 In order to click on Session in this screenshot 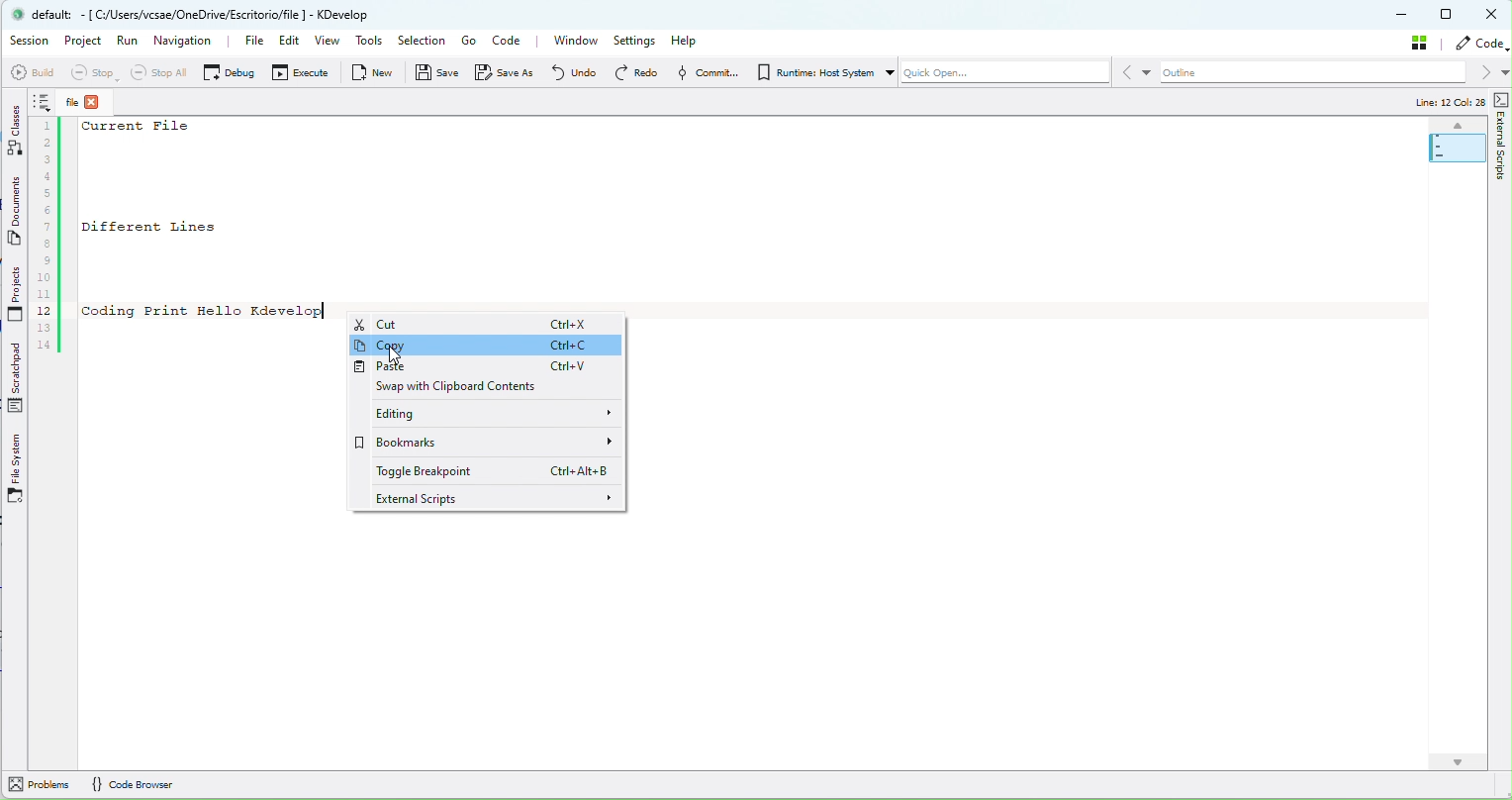, I will do `click(30, 41)`.